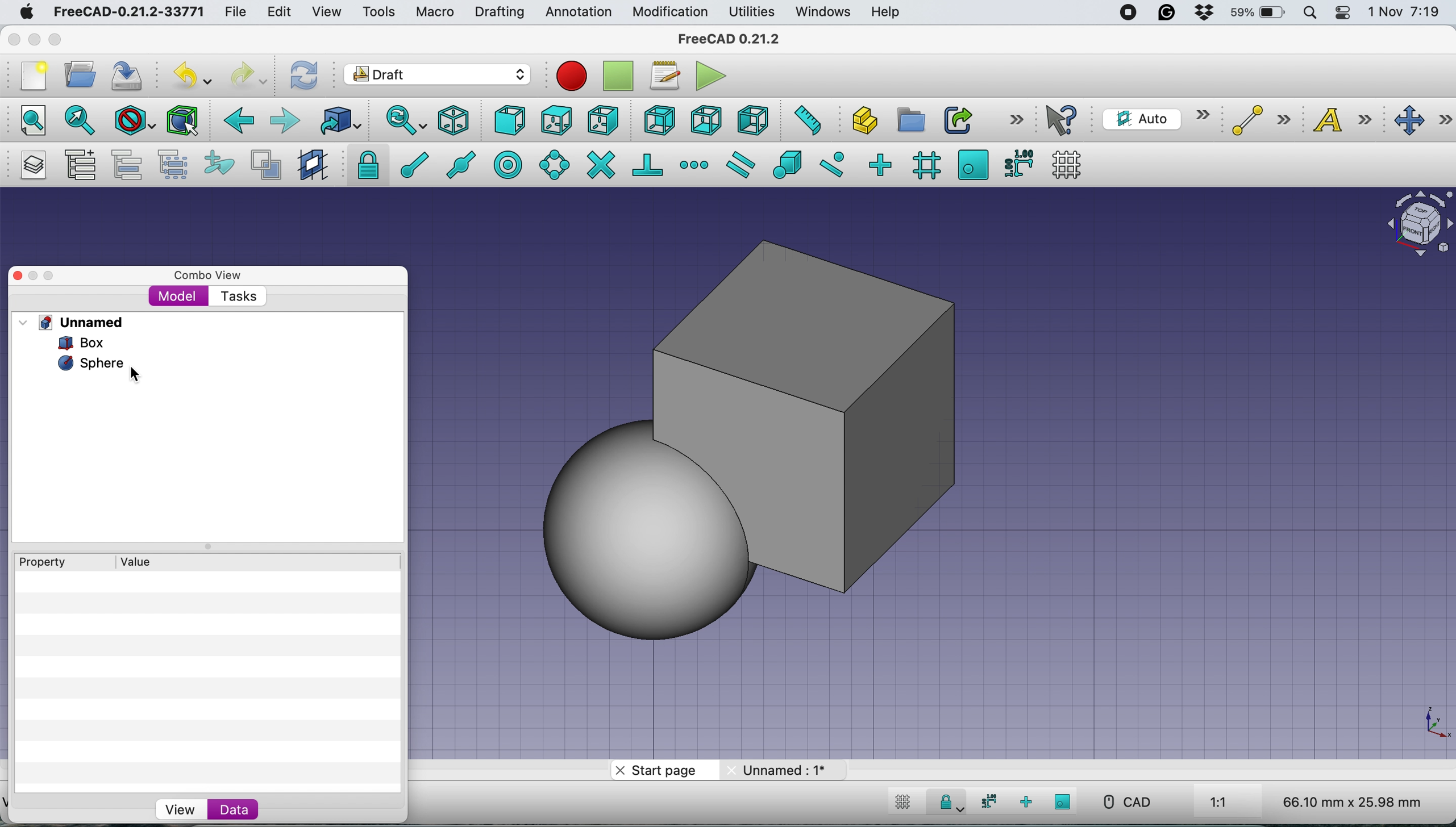 Image resolution: width=1456 pixels, height=827 pixels. I want to click on sync view, so click(399, 122).